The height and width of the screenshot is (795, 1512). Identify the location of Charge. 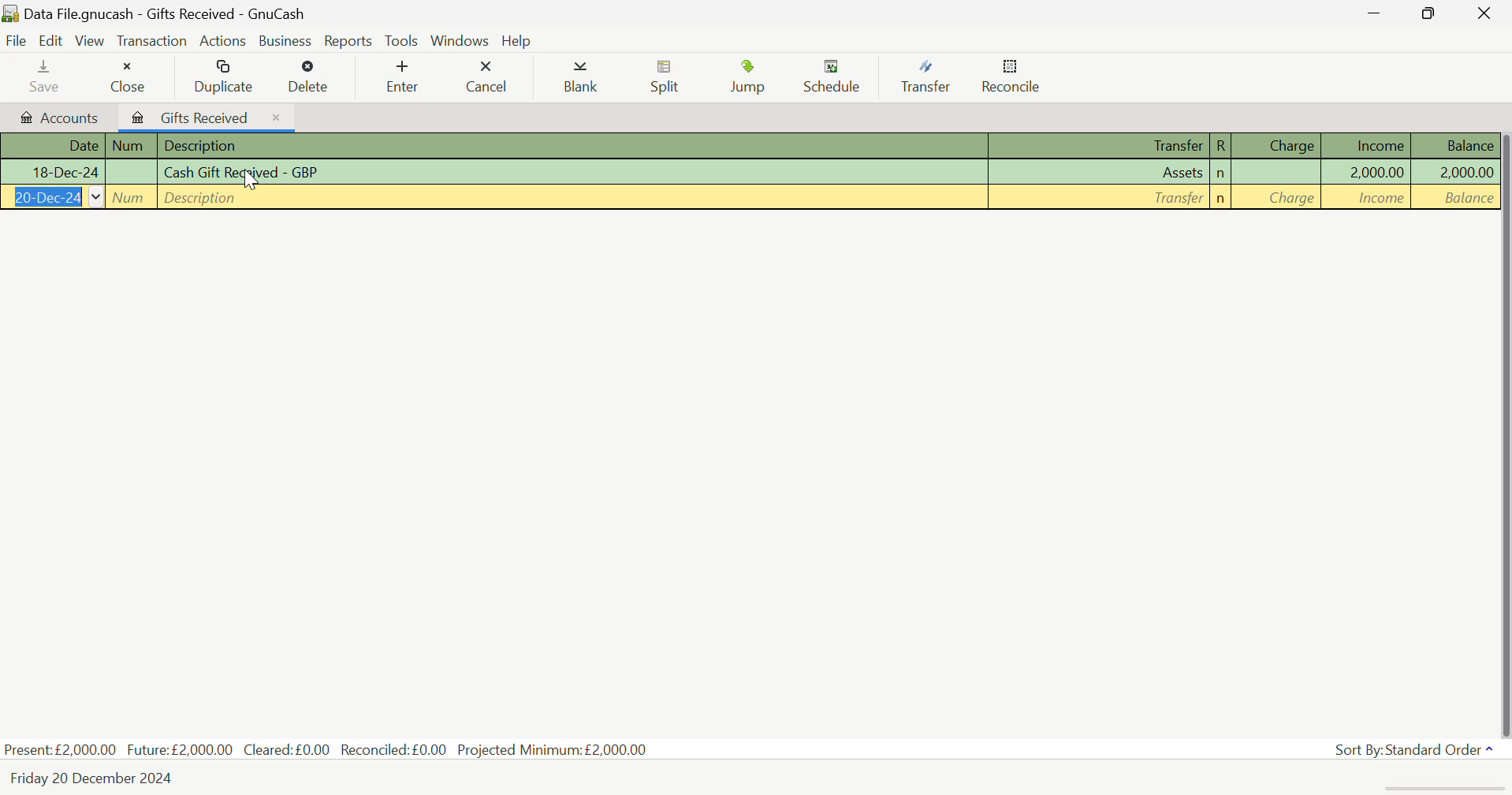
(1278, 145).